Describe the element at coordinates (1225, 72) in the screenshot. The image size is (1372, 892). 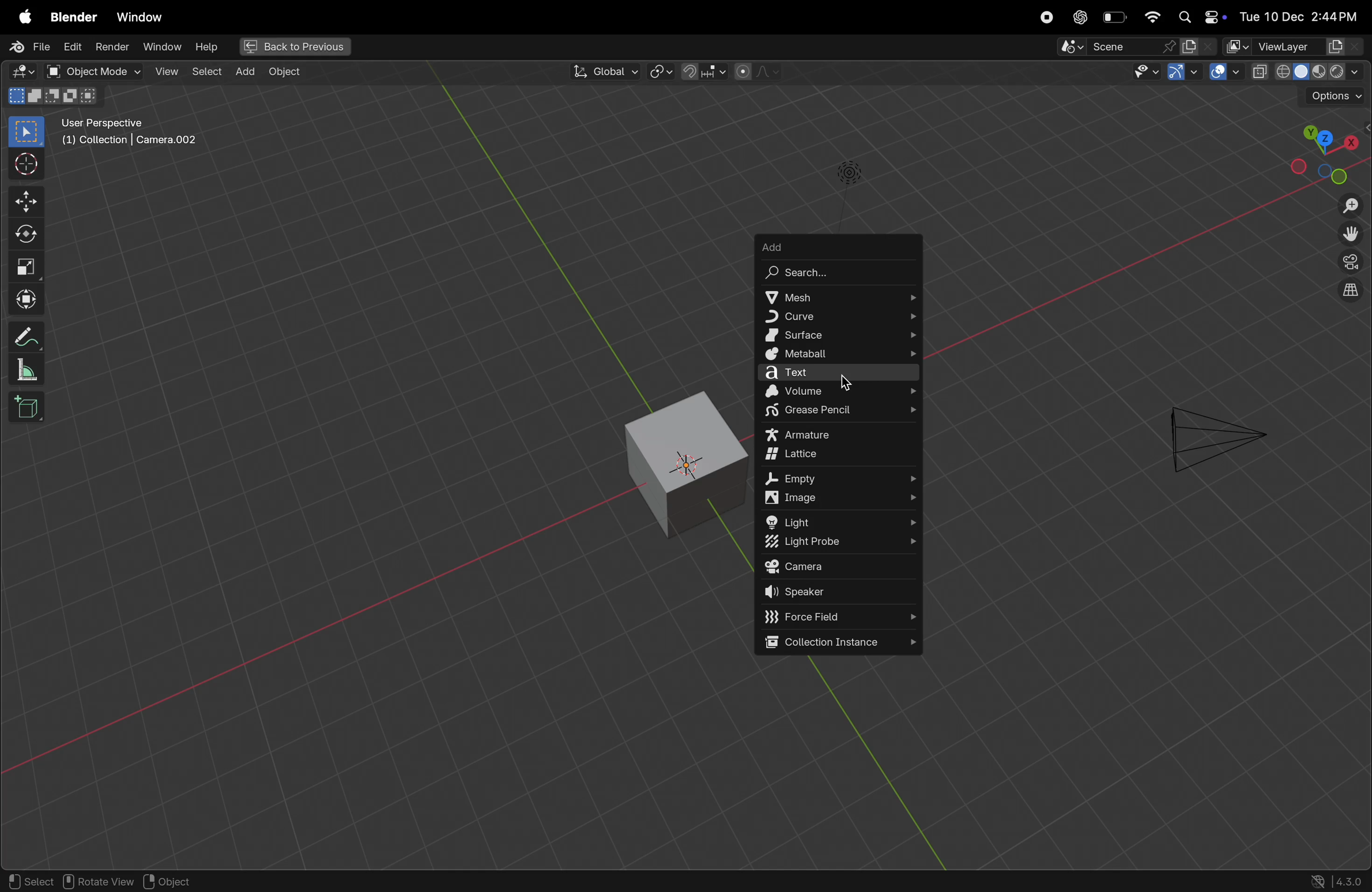
I see `` at that location.